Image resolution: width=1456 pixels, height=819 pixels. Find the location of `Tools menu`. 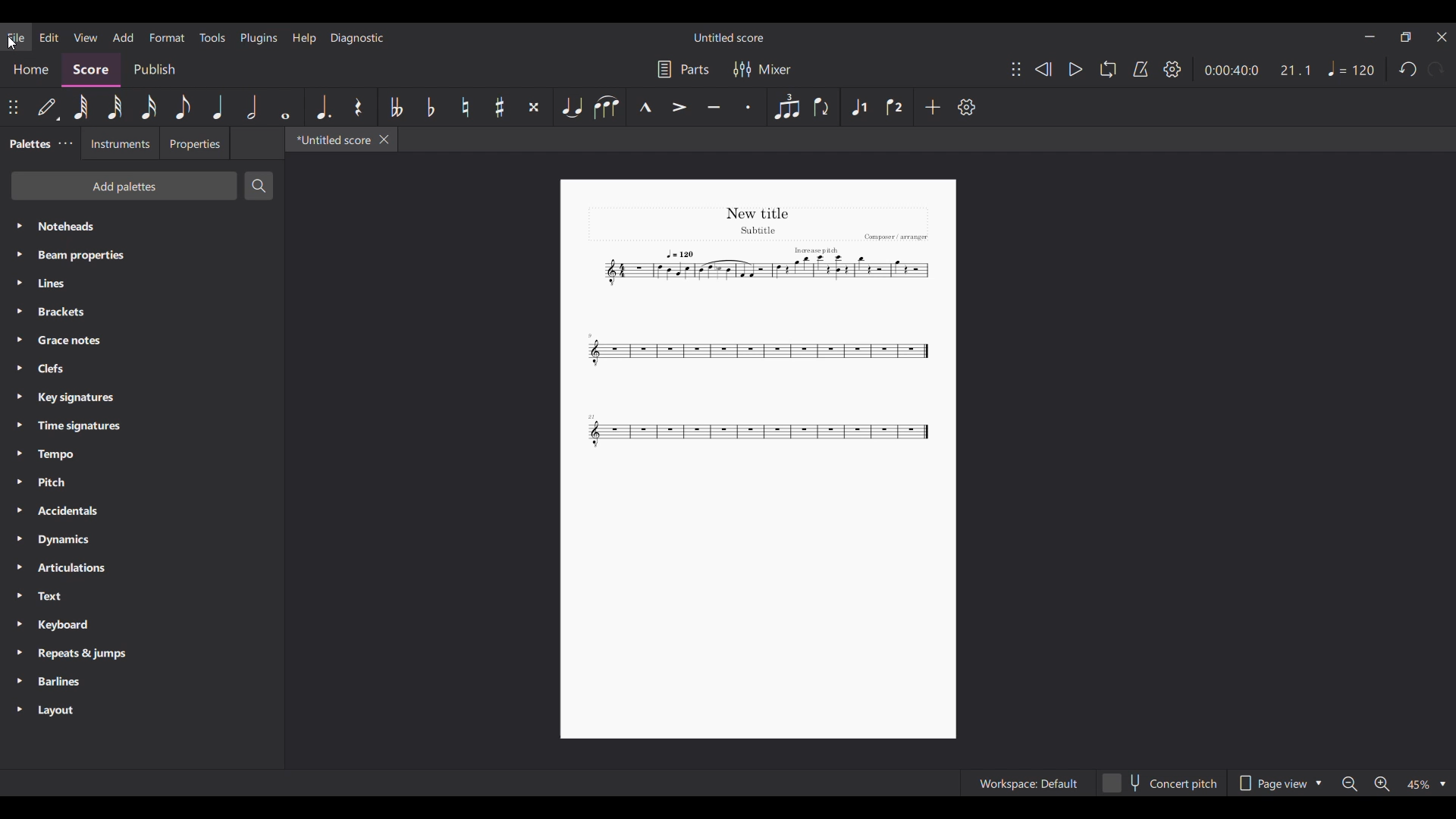

Tools menu is located at coordinates (212, 37).